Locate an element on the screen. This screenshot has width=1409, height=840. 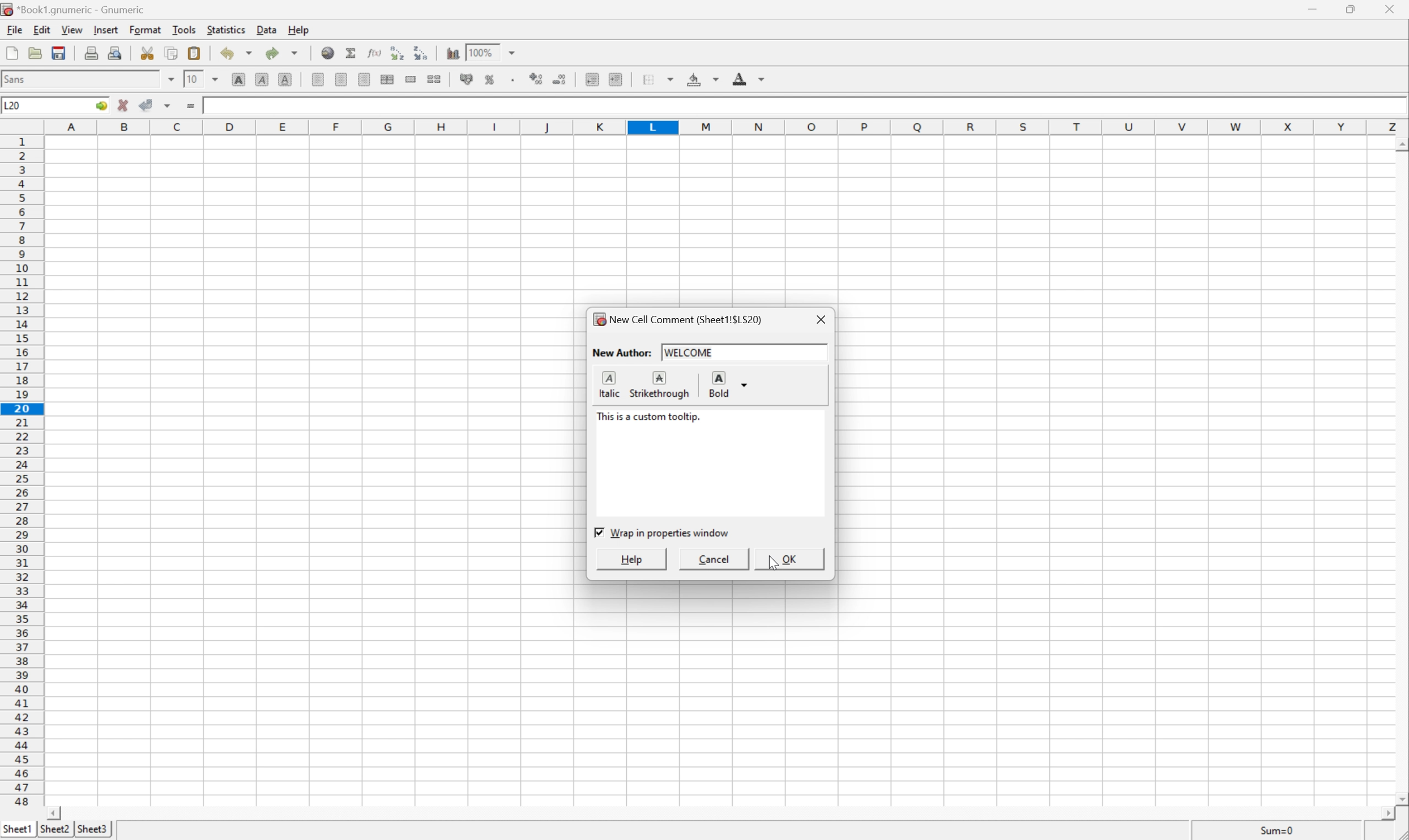
Wrap in properties window is located at coordinates (671, 532).